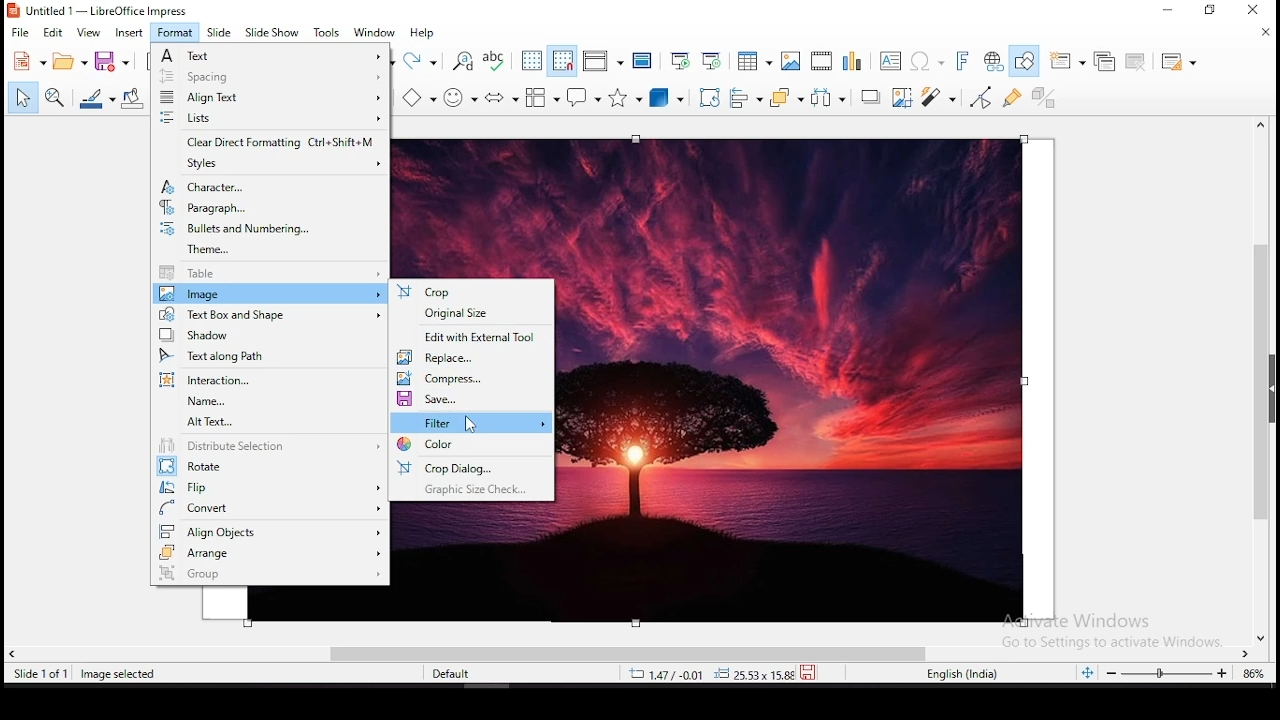 This screenshot has width=1280, height=720. What do you see at coordinates (265, 380) in the screenshot?
I see `interaction` at bounding box center [265, 380].